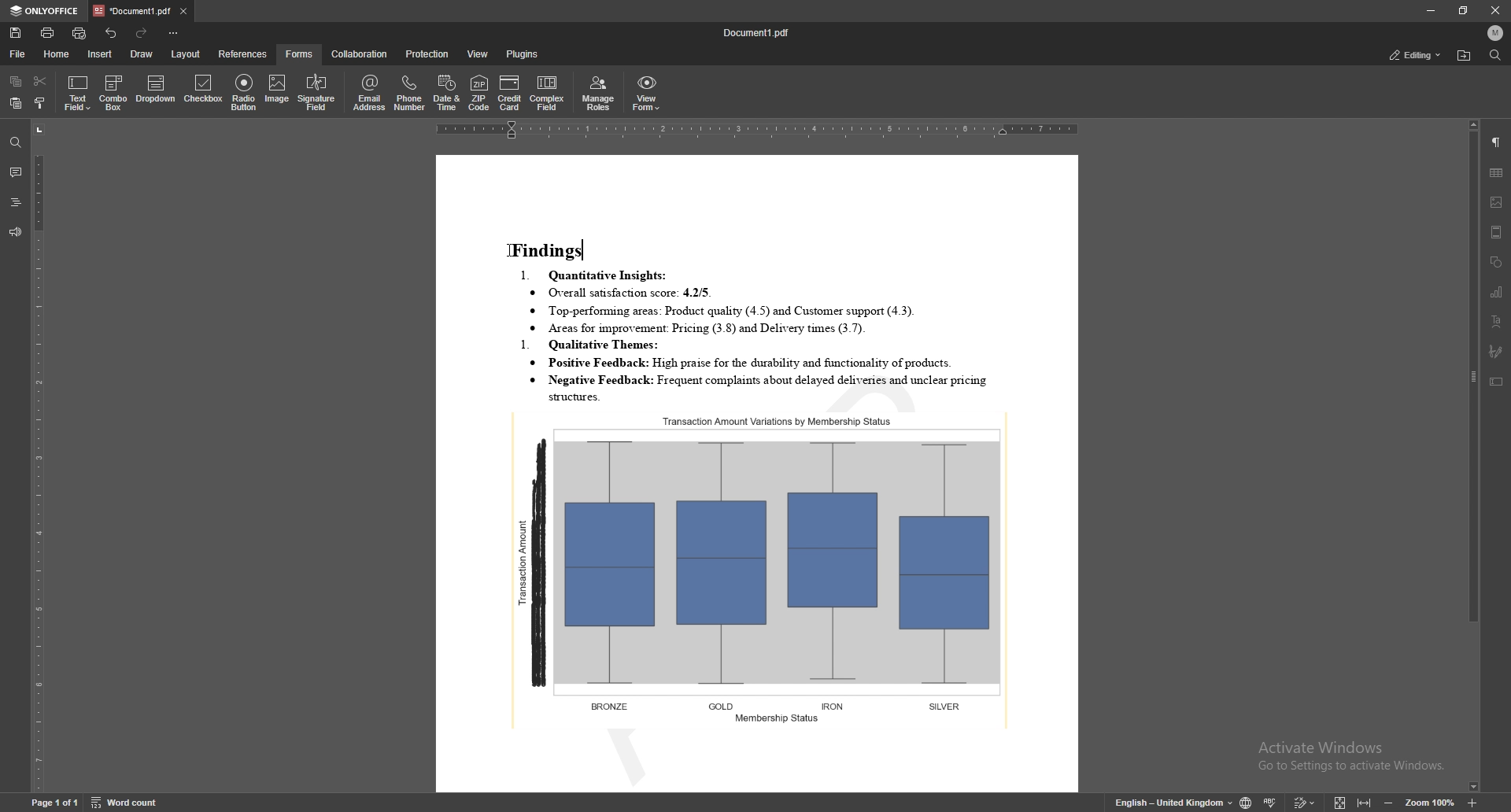  I want to click on close, so click(1494, 11).